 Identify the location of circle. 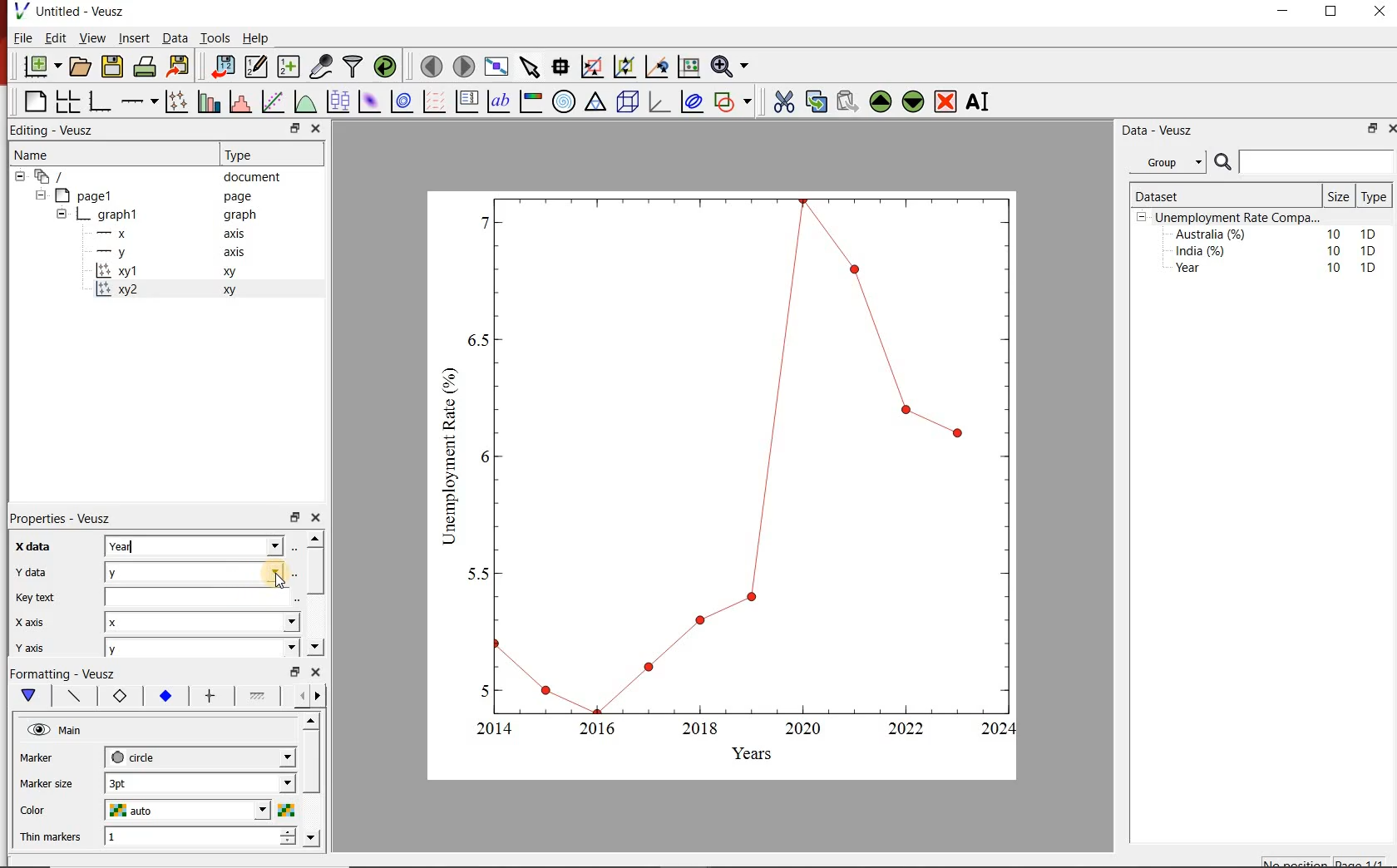
(198, 755).